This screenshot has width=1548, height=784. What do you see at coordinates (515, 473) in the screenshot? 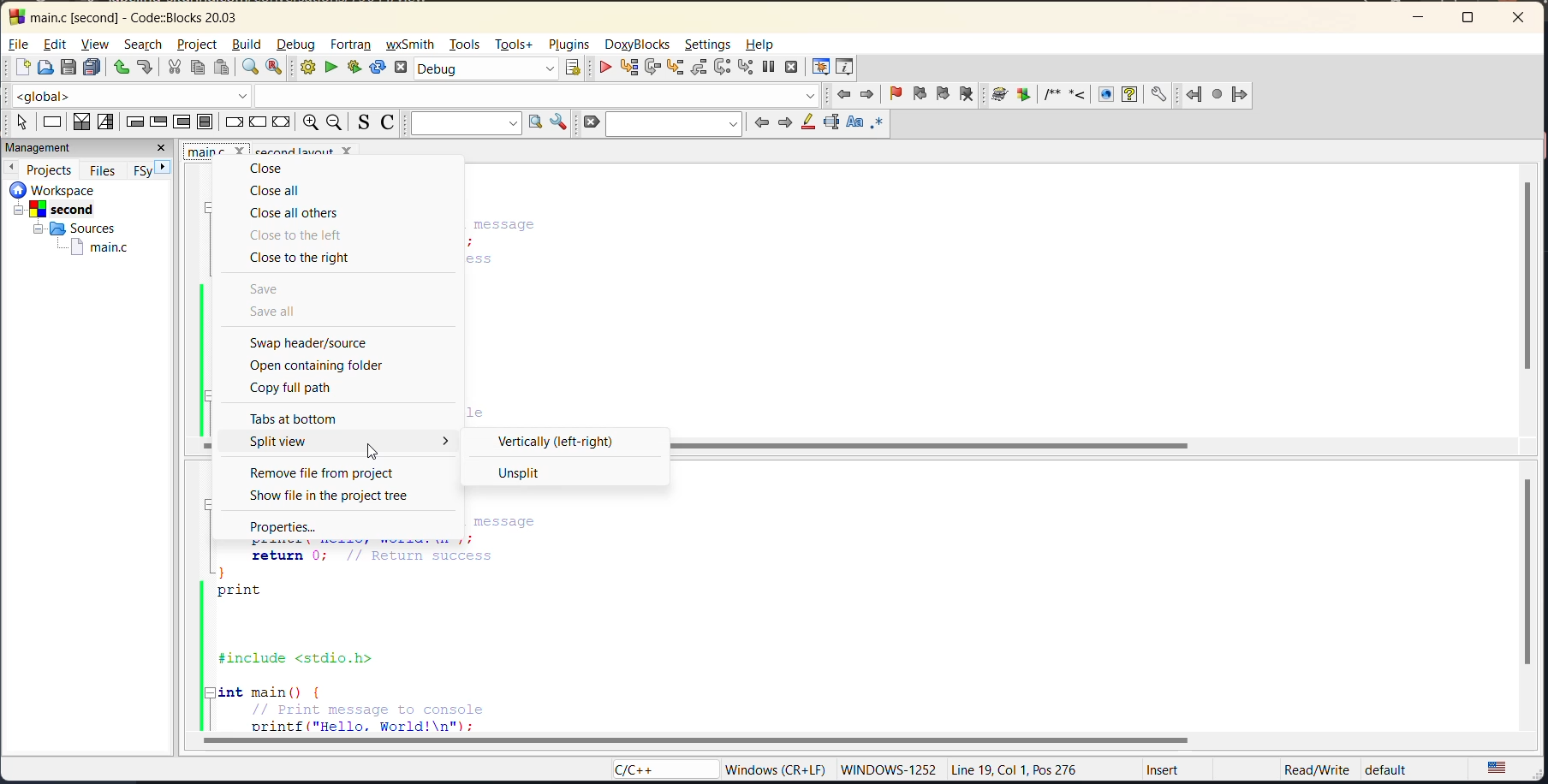
I see `unsplit` at bounding box center [515, 473].